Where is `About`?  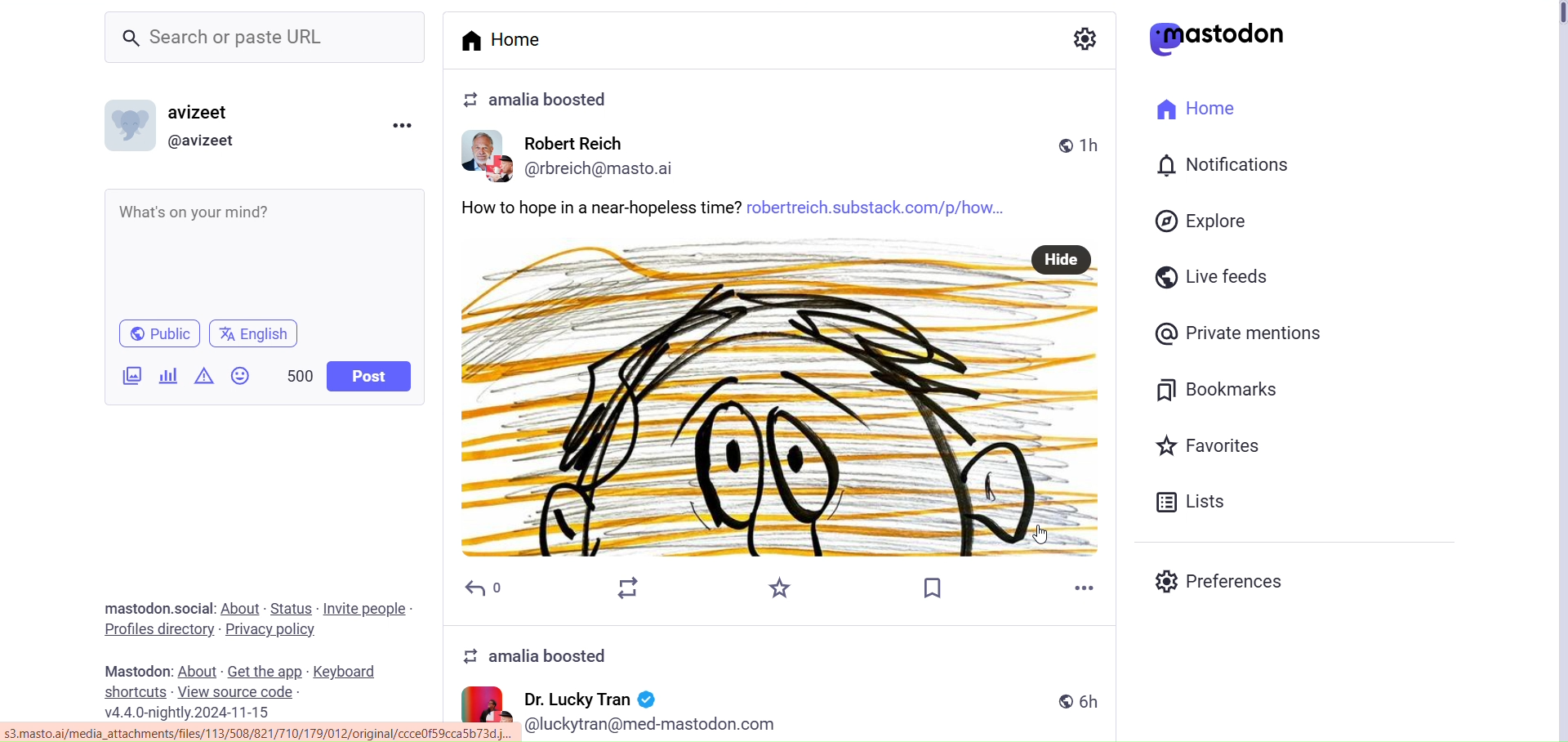 About is located at coordinates (198, 670).